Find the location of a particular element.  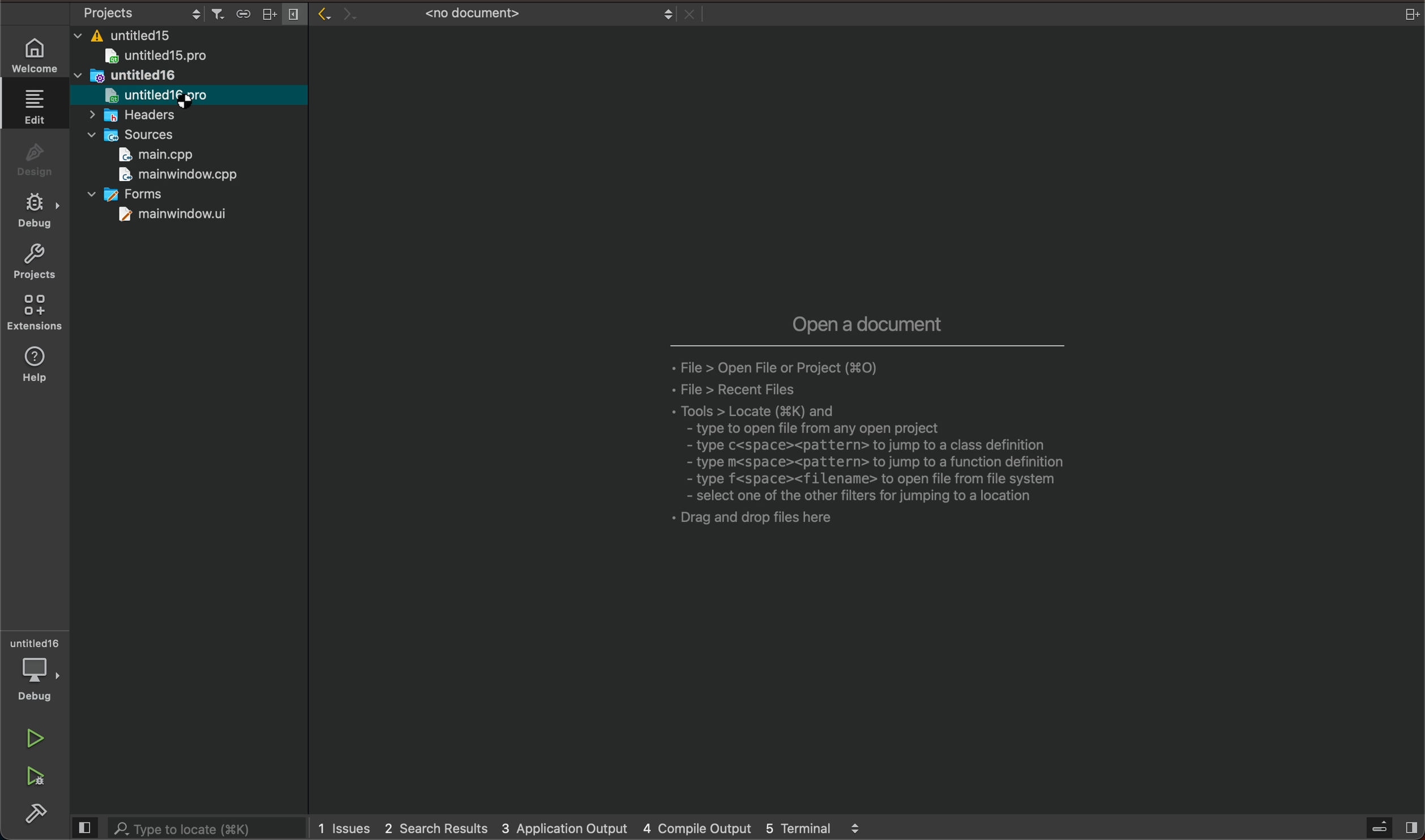

build is located at coordinates (40, 816).